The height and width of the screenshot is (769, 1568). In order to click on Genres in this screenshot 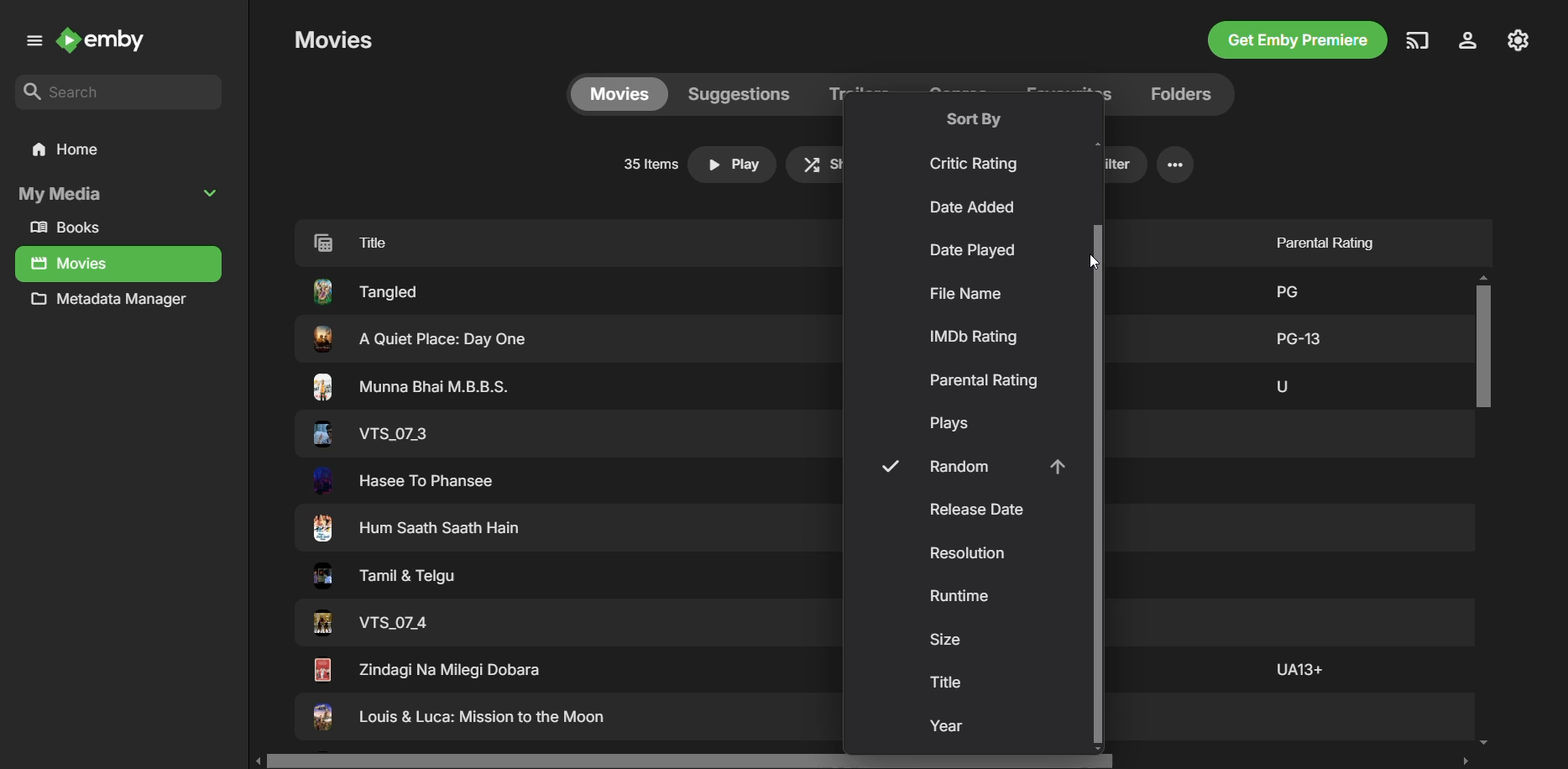, I will do `click(962, 93)`.